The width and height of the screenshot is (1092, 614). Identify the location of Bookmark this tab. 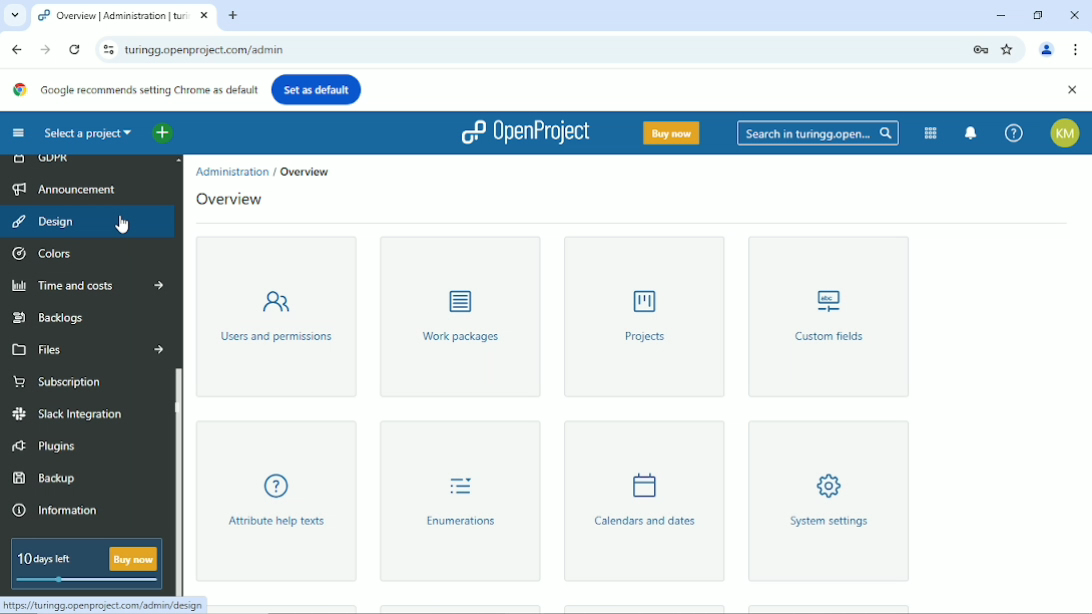
(1009, 49).